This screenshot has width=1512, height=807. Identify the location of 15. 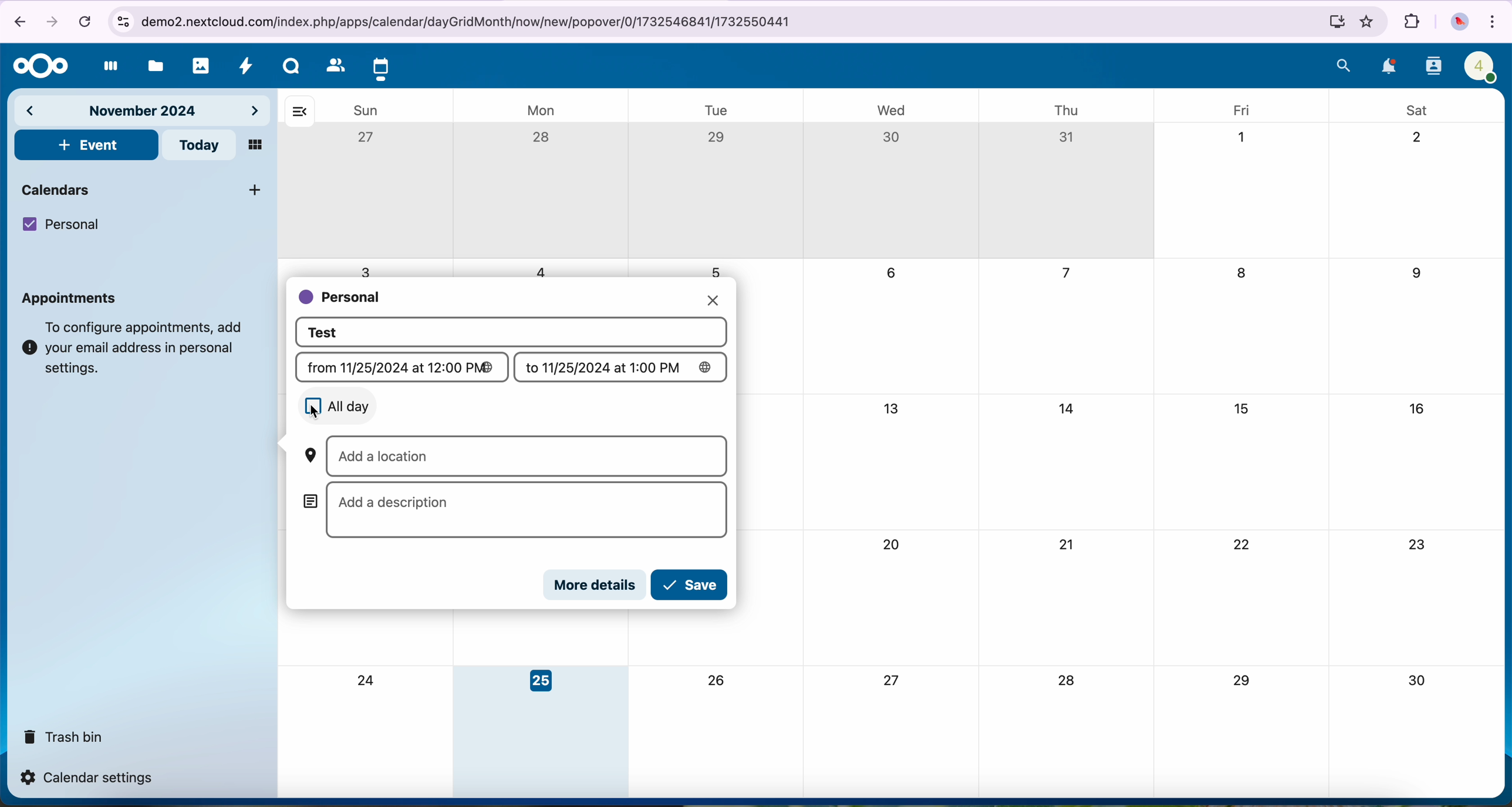
(1244, 411).